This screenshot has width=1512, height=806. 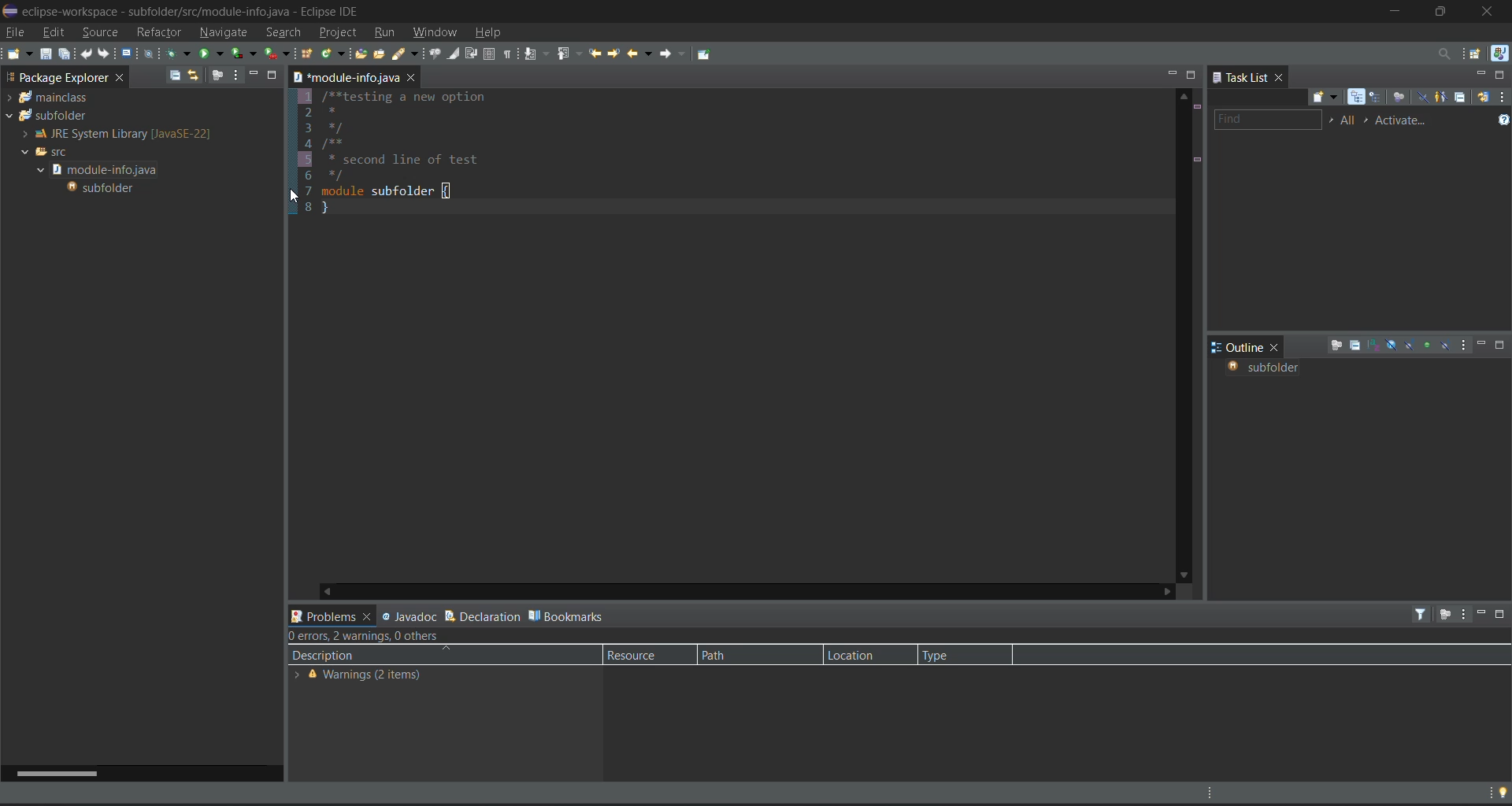 I want to click on toggle word wrap, so click(x=472, y=53).